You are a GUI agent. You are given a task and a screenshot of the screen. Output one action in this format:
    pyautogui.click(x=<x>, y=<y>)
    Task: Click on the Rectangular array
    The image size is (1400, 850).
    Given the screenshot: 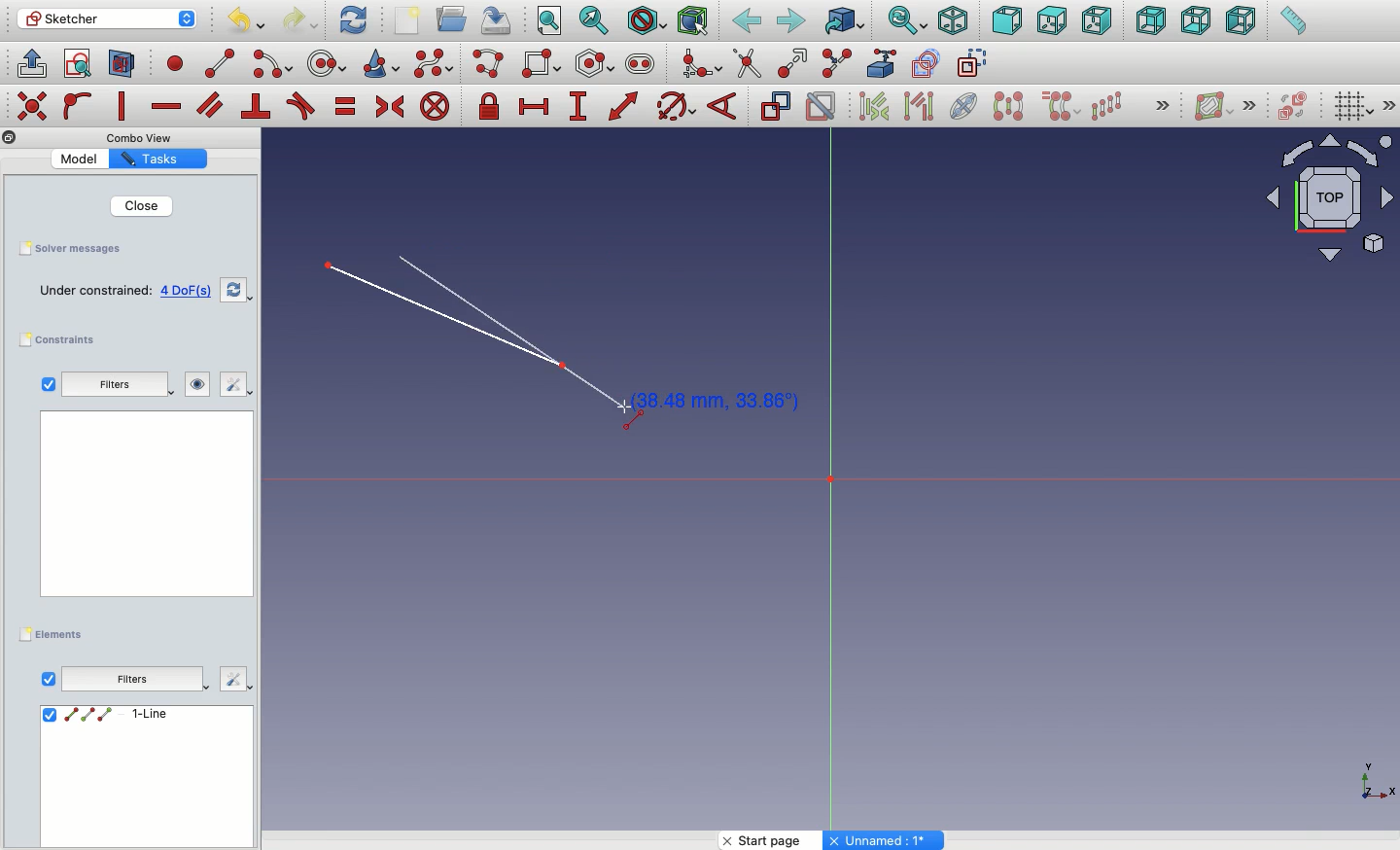 What is the action you would take?
    pyautogui.click(x=1108, y=105)
    